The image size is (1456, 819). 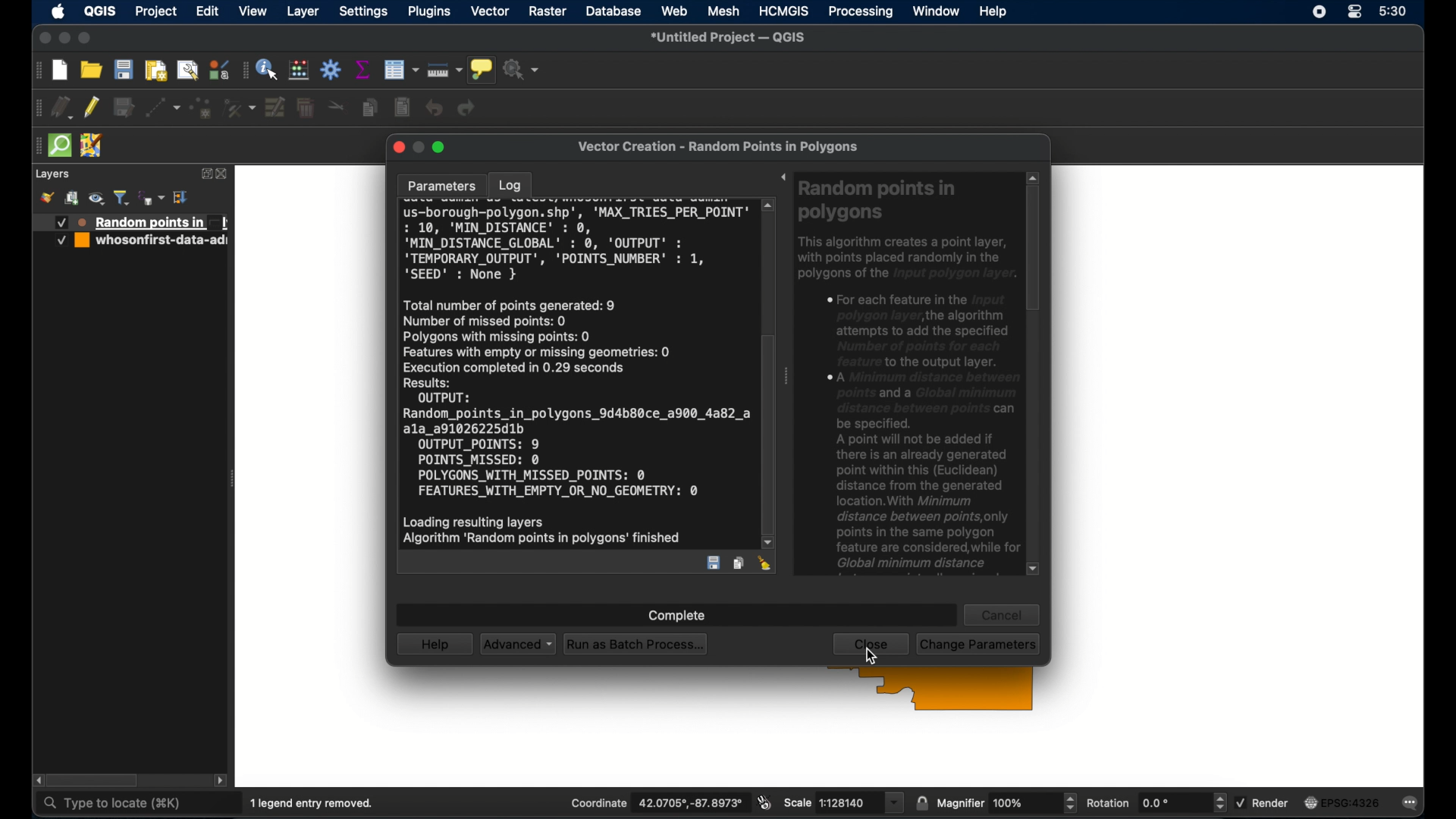 What do you see at coordinates (331, 70) in the screenshot?
I see `toolbox` at bounding box center [331, 70].